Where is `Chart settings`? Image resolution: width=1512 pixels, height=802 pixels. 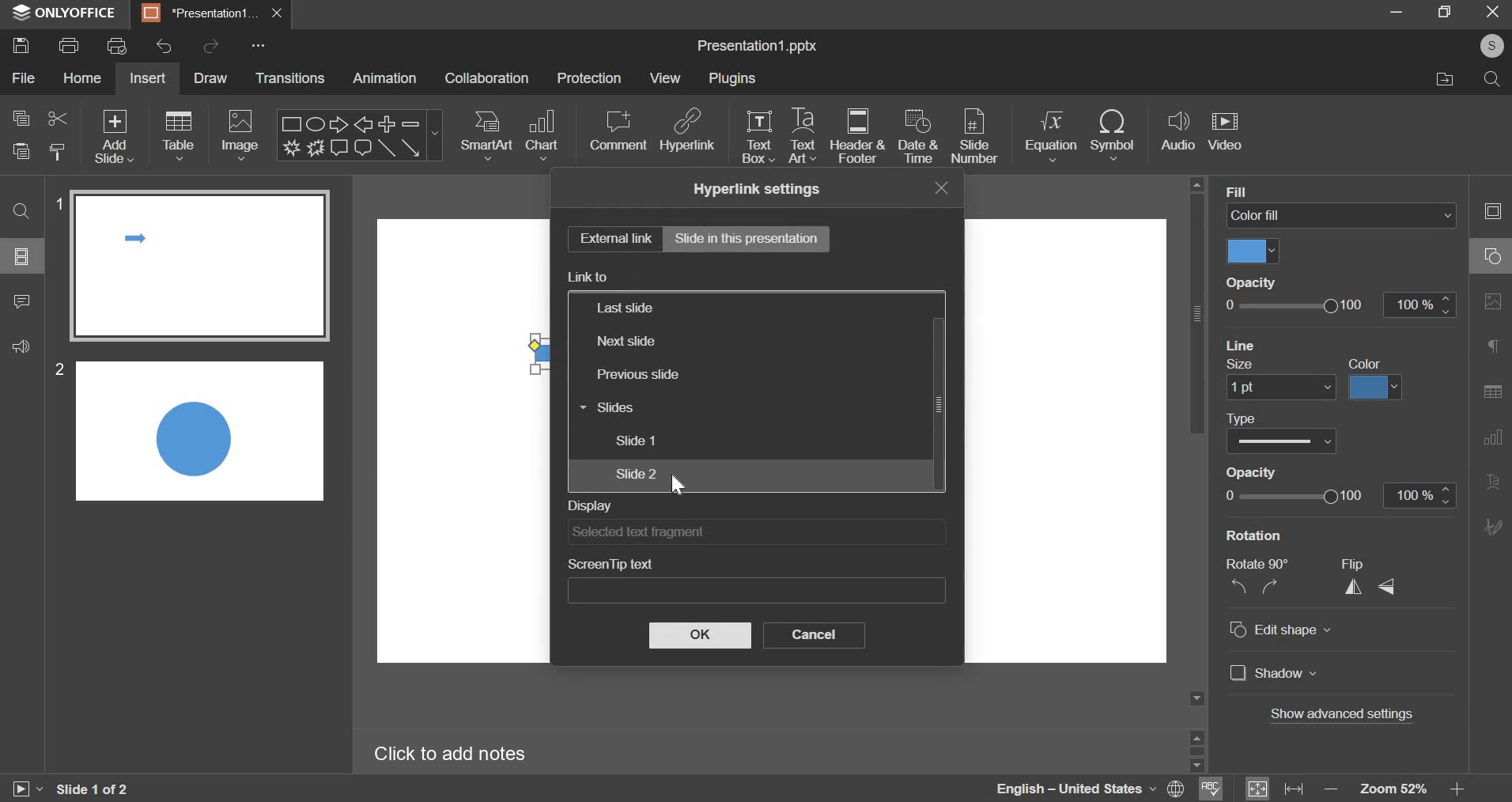 Chart settings is located at coordinates (1494, 437).